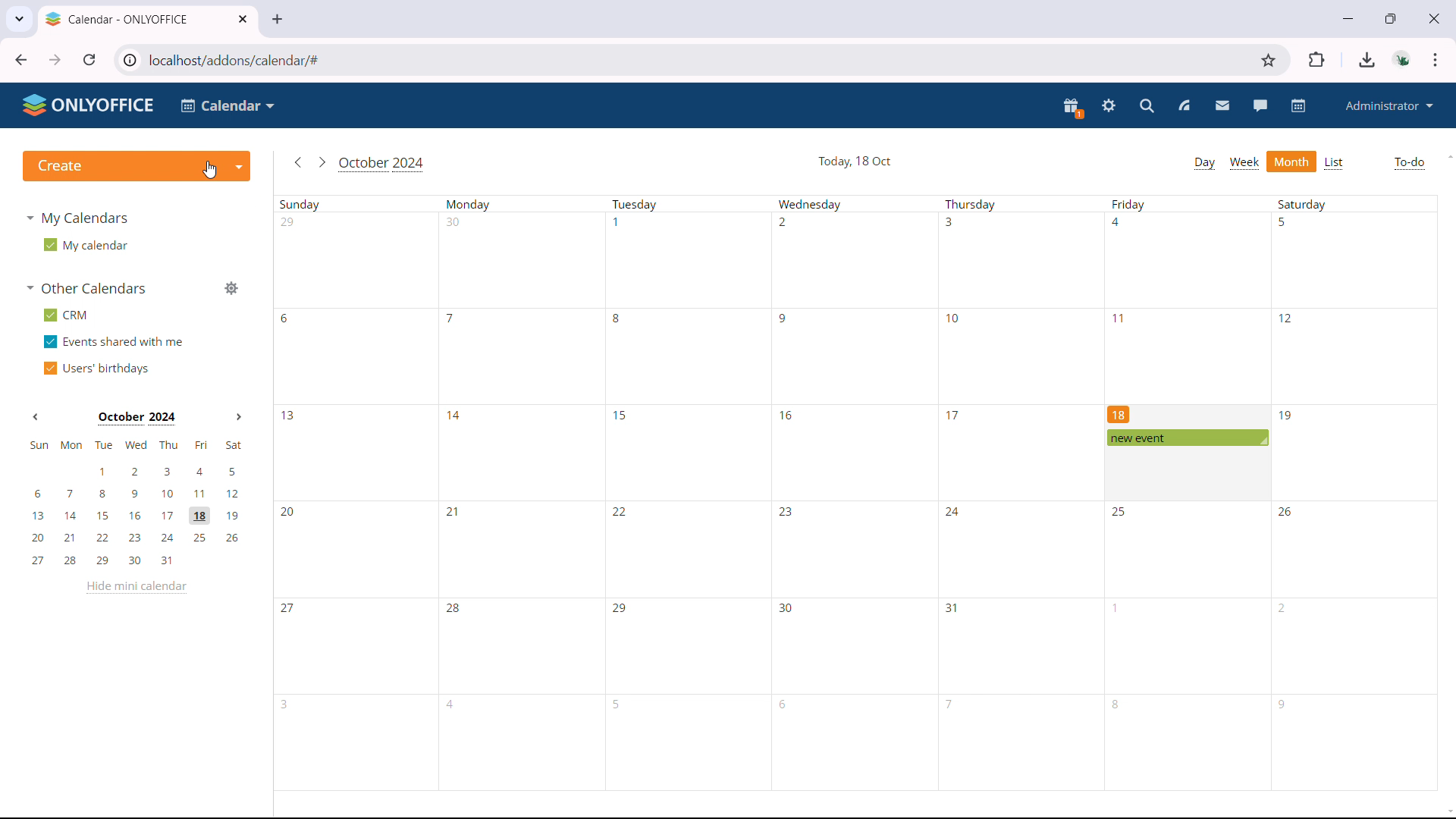 The width and height of the screenshot is (1456, 819). Describe the element at coordinates (98, 369) in the screenshot. I see `users' birthdays` at that location.